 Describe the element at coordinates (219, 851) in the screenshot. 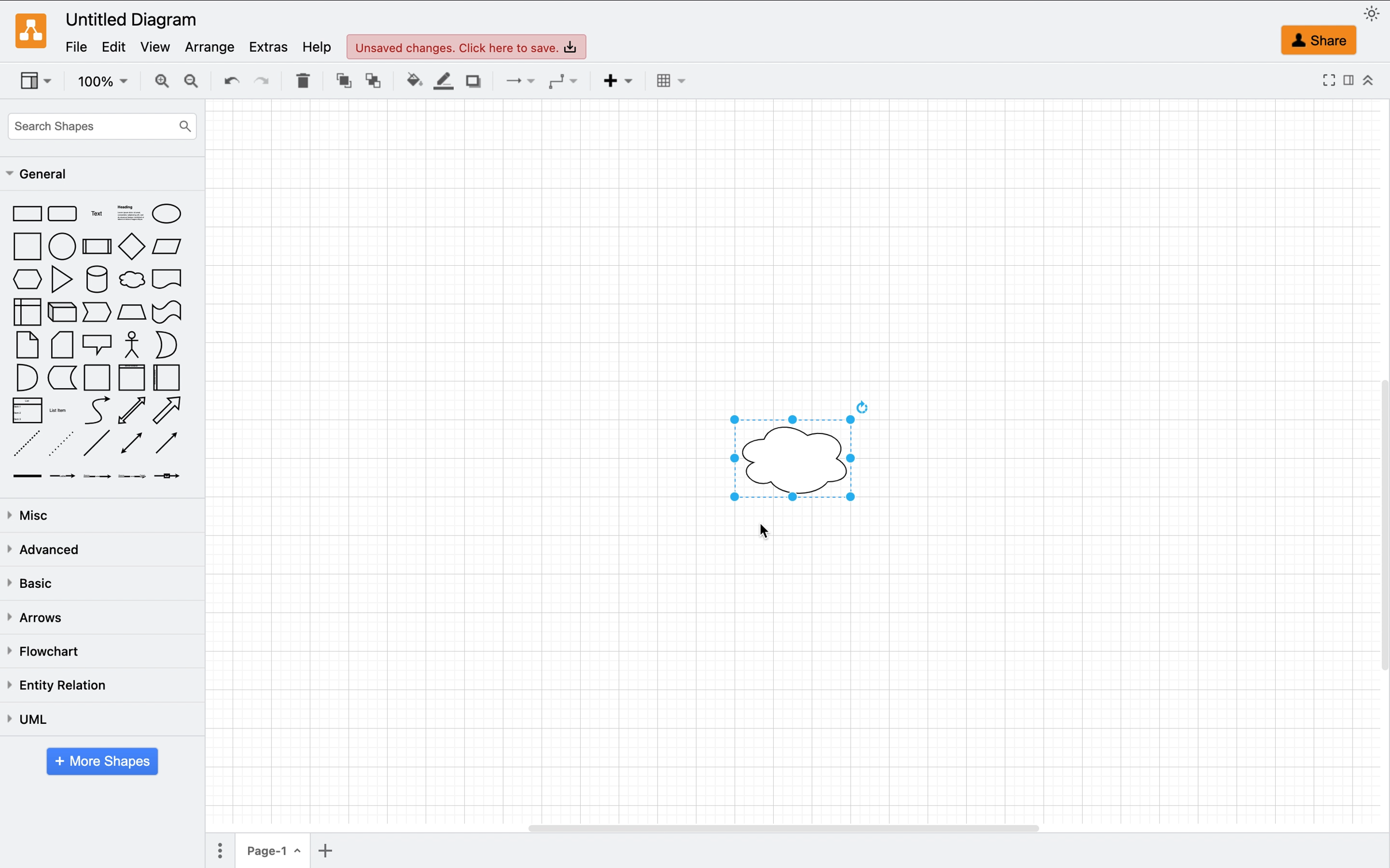

I see `more options` at that location.